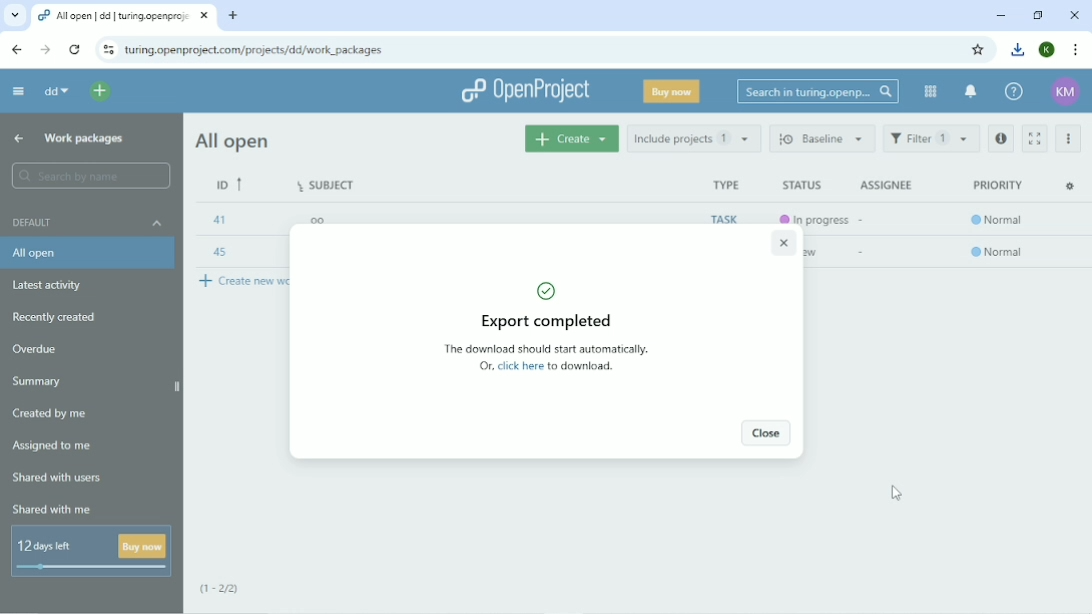 The height and width of the screenshot is (614, 1092). I want to click on 12 days left buy now, so click(91, 552).